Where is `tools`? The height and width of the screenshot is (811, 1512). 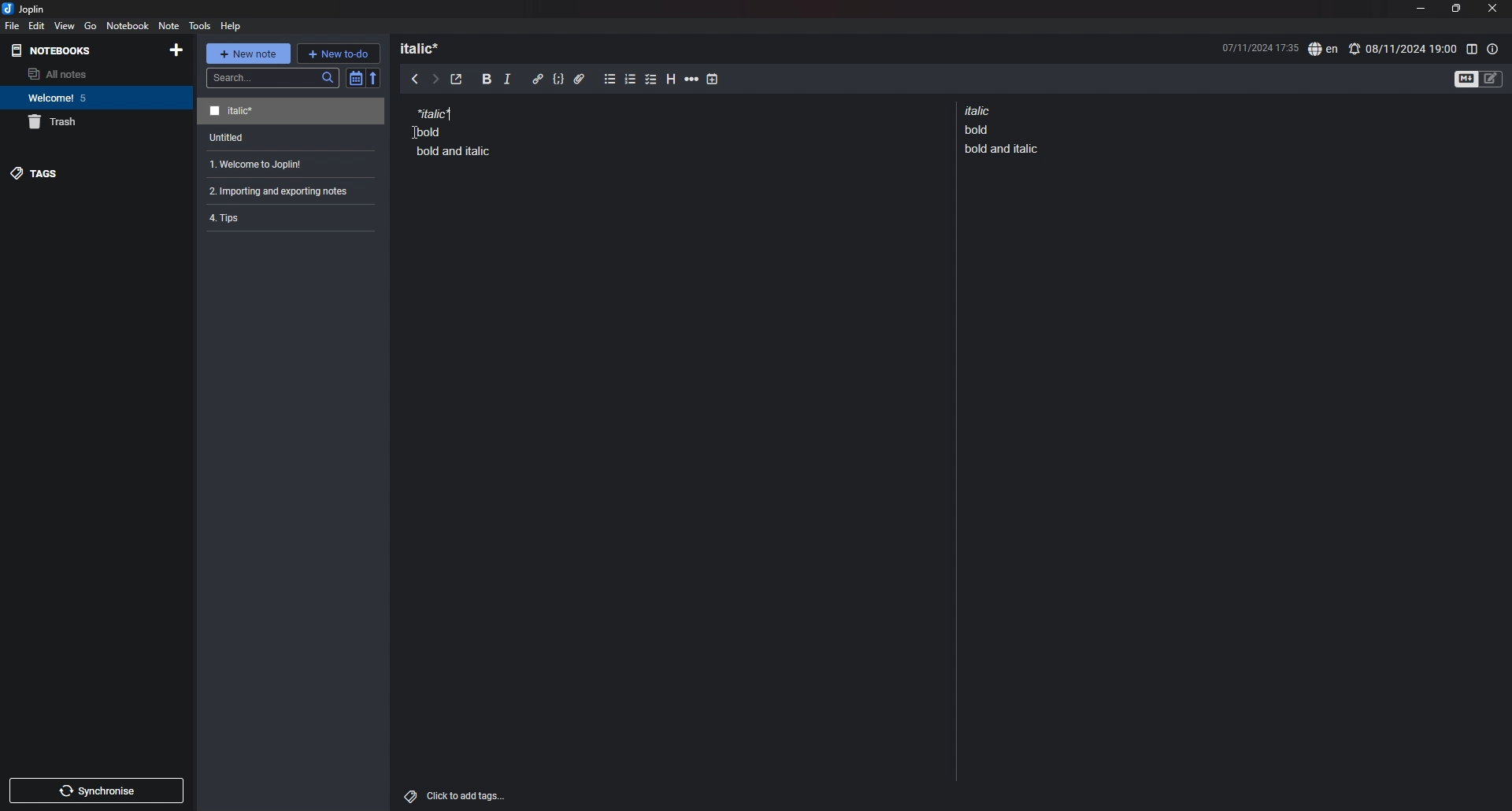 tools is located at coordinates (200, 25).